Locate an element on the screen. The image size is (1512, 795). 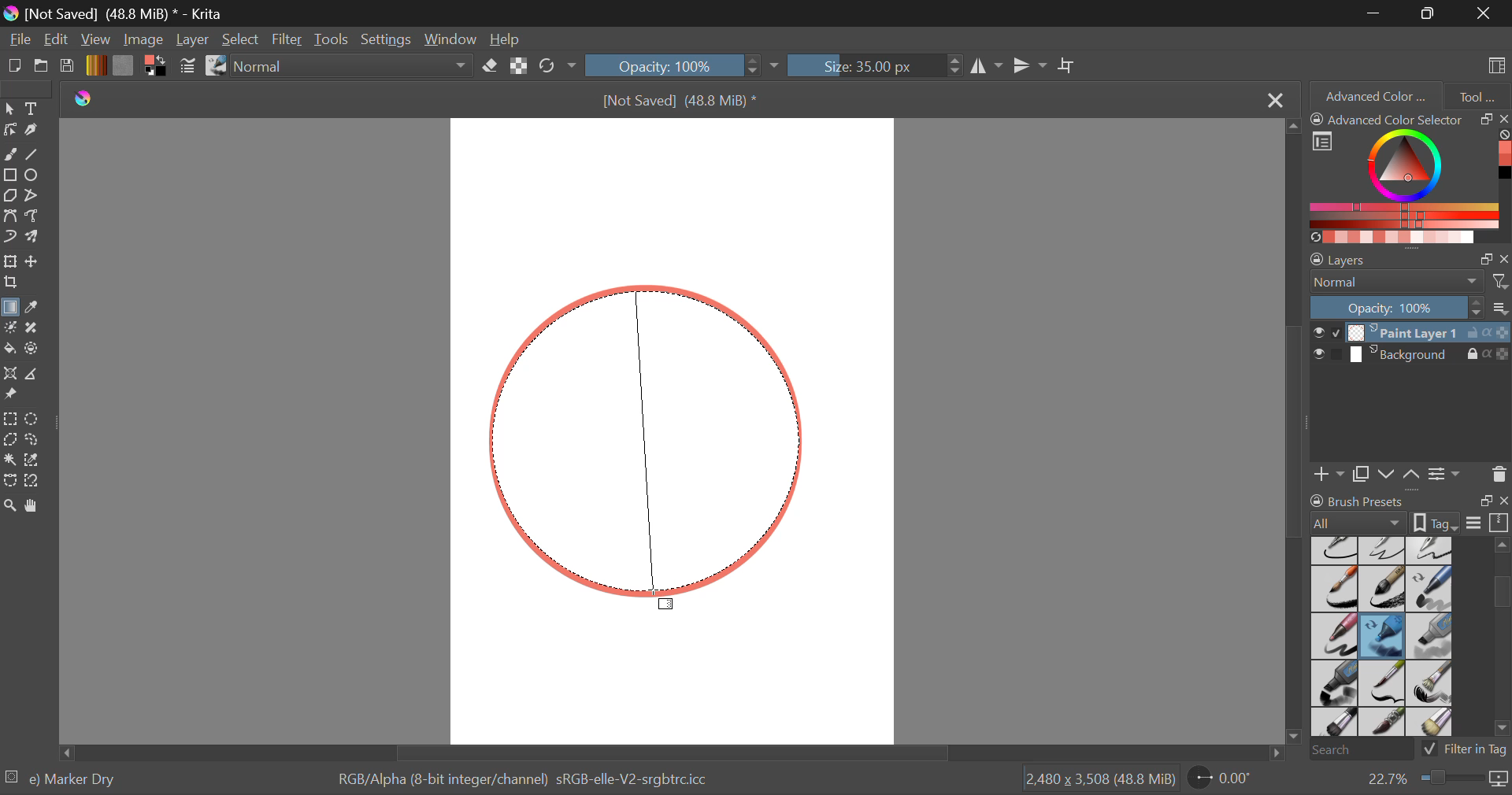
Polygon Tool is located at coordinates (9, 196).